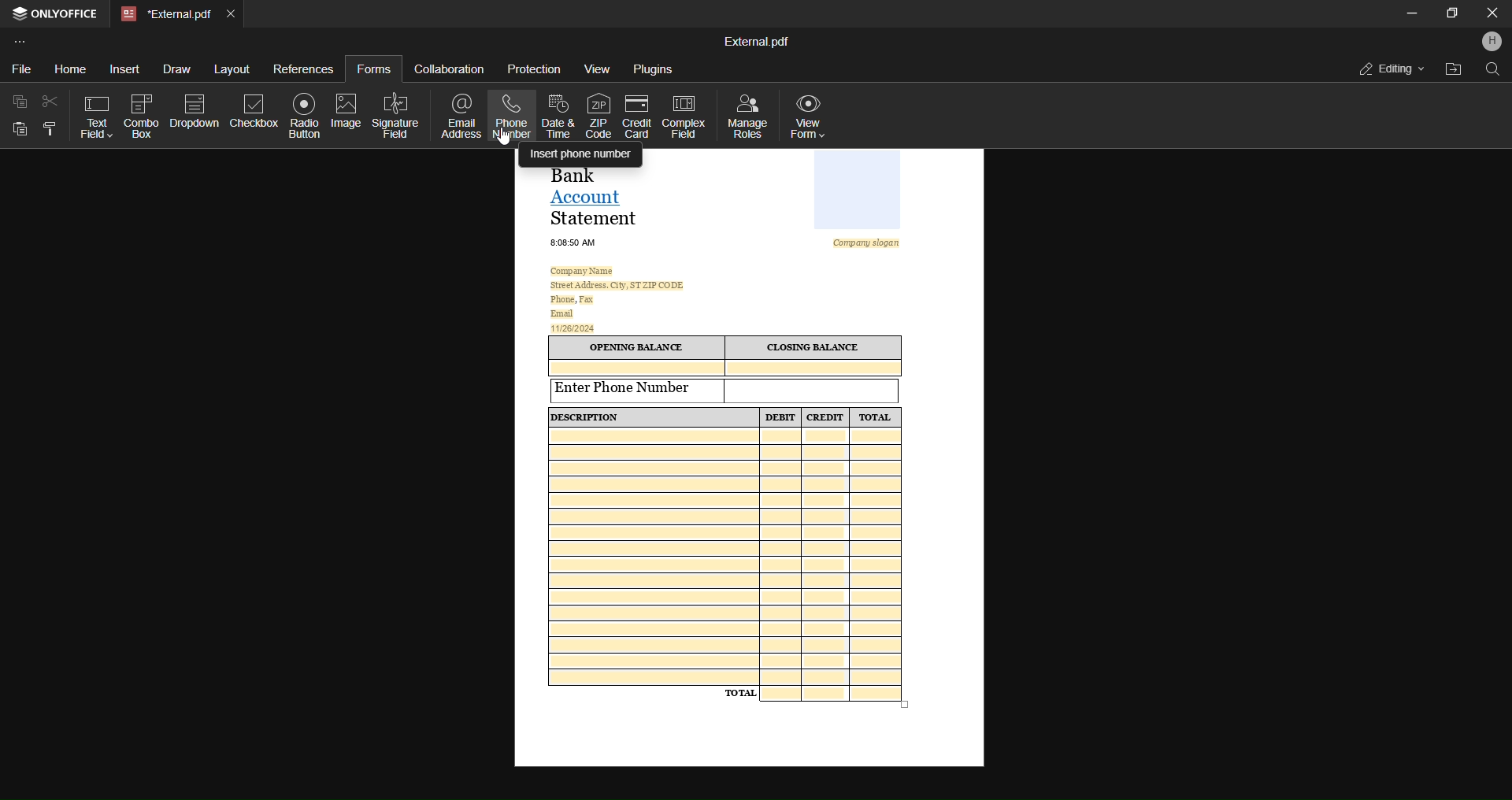 The image size is (1512, 800). What do you see at coordinates (50, 98) in the screenshot?
I see `cut` at bounding box center [50, 98].